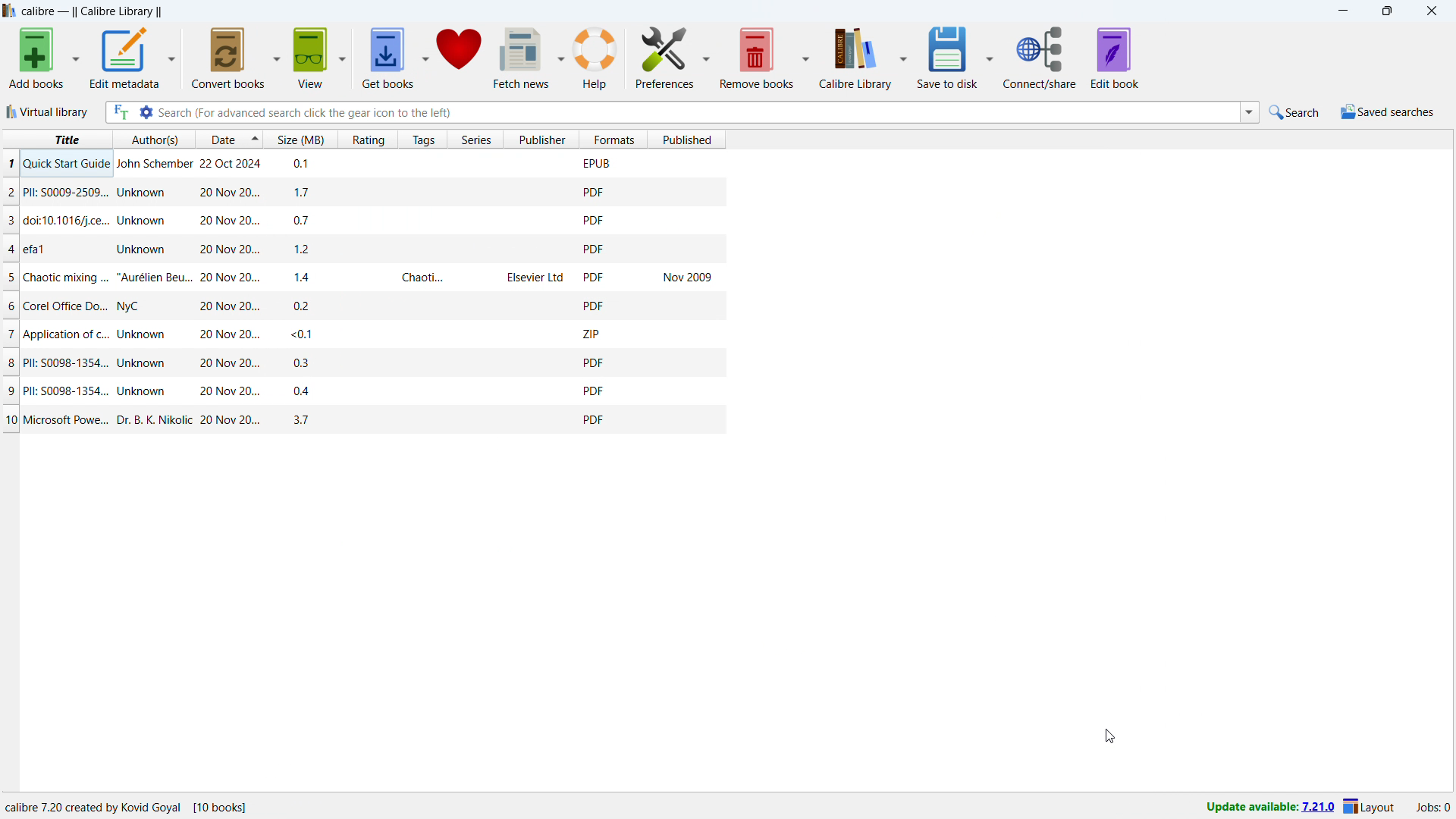 The width and height of the screenshot is (1456, 819). I want to click on virtual library, so click(48, 112).